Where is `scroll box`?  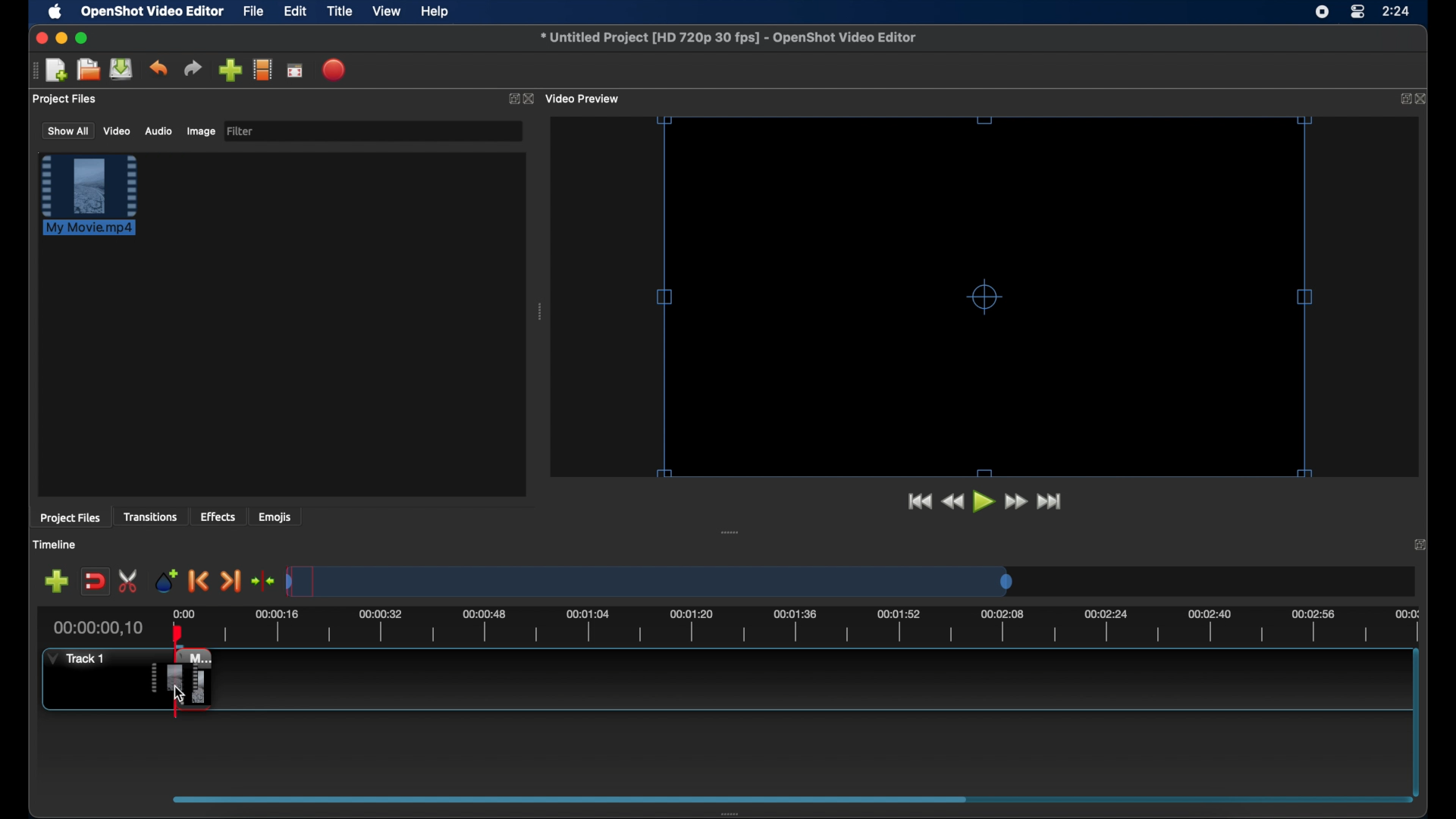 scroll box is located at coordinates (572, 799).